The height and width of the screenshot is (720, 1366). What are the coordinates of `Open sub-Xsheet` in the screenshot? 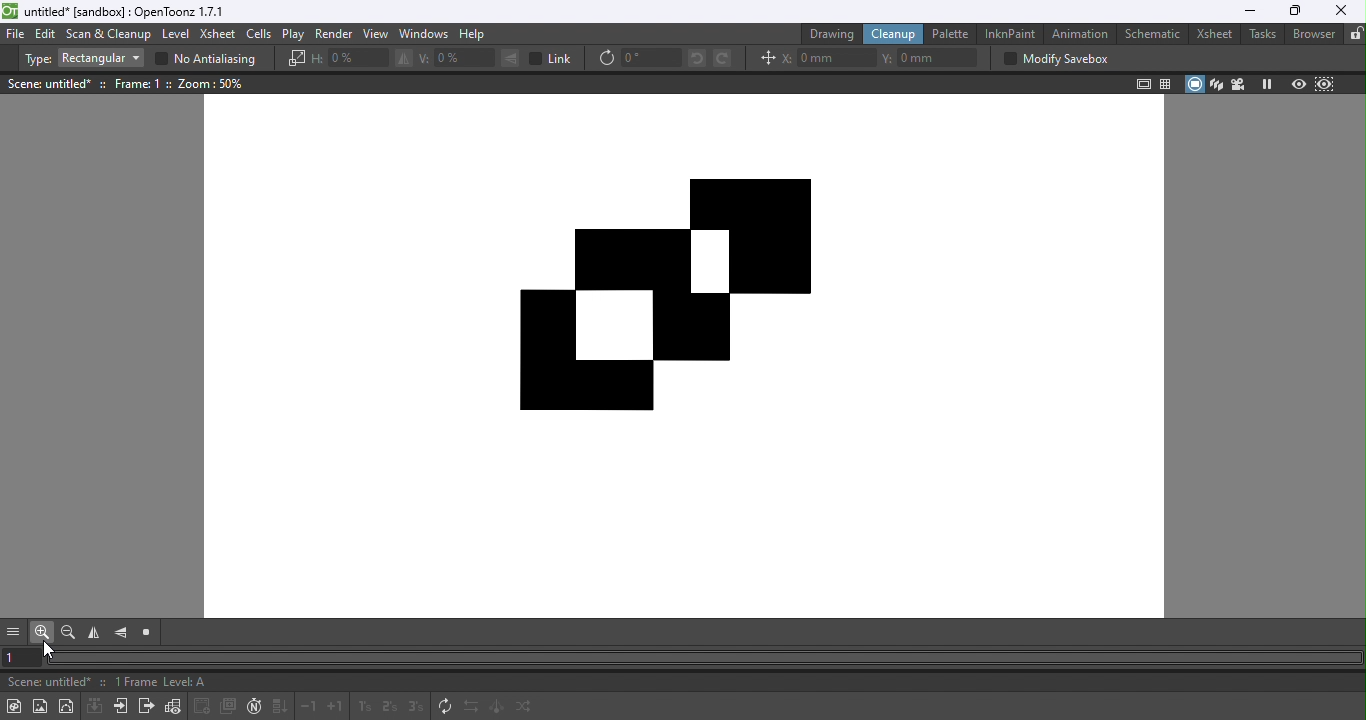 It's located at (119, 706).